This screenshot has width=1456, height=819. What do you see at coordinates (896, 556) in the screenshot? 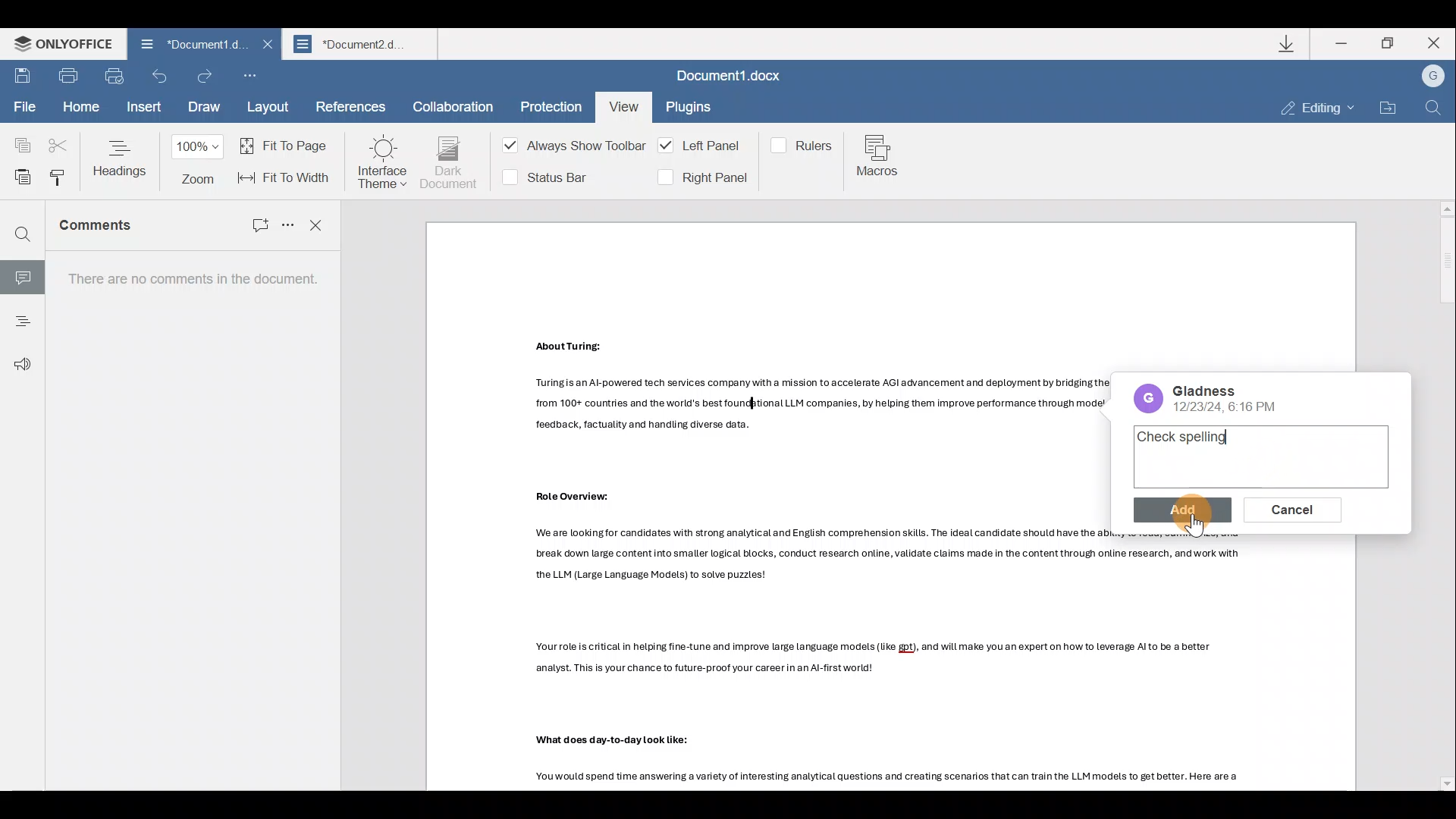
I see `` at bounding box center [896, 556].